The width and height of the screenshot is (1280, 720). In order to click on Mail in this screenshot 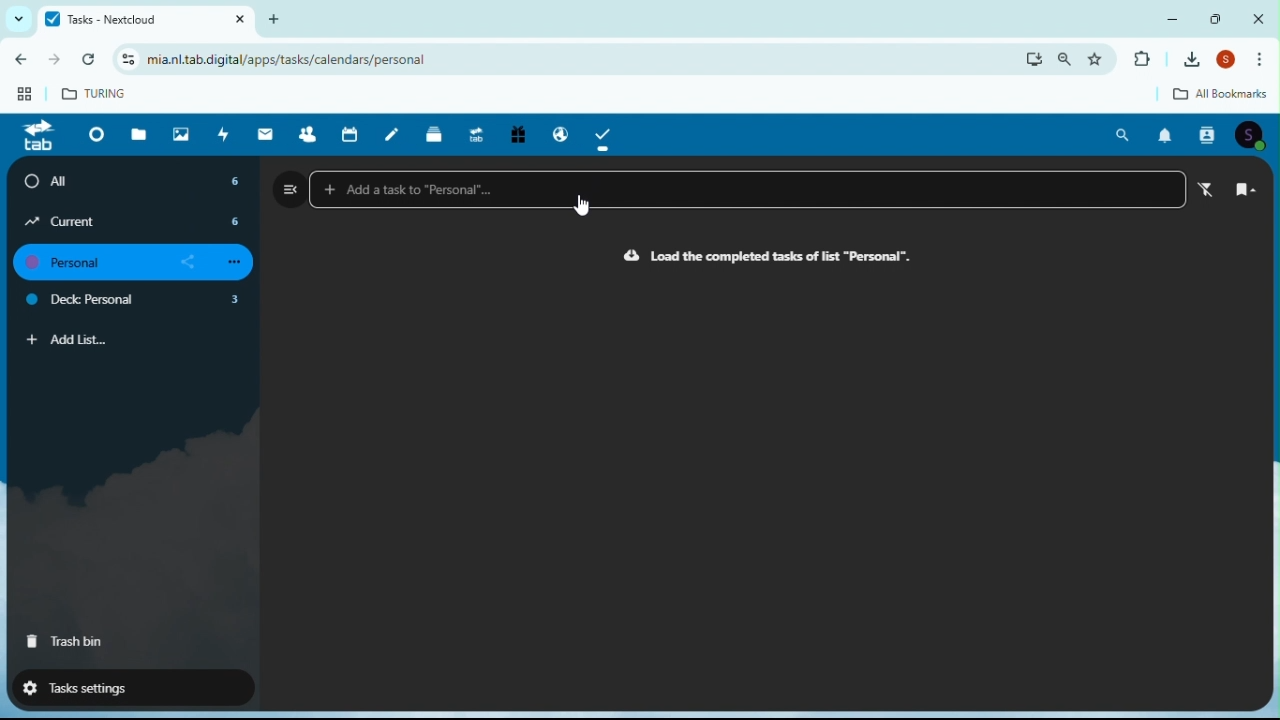, I will do `click(268, 134)`.